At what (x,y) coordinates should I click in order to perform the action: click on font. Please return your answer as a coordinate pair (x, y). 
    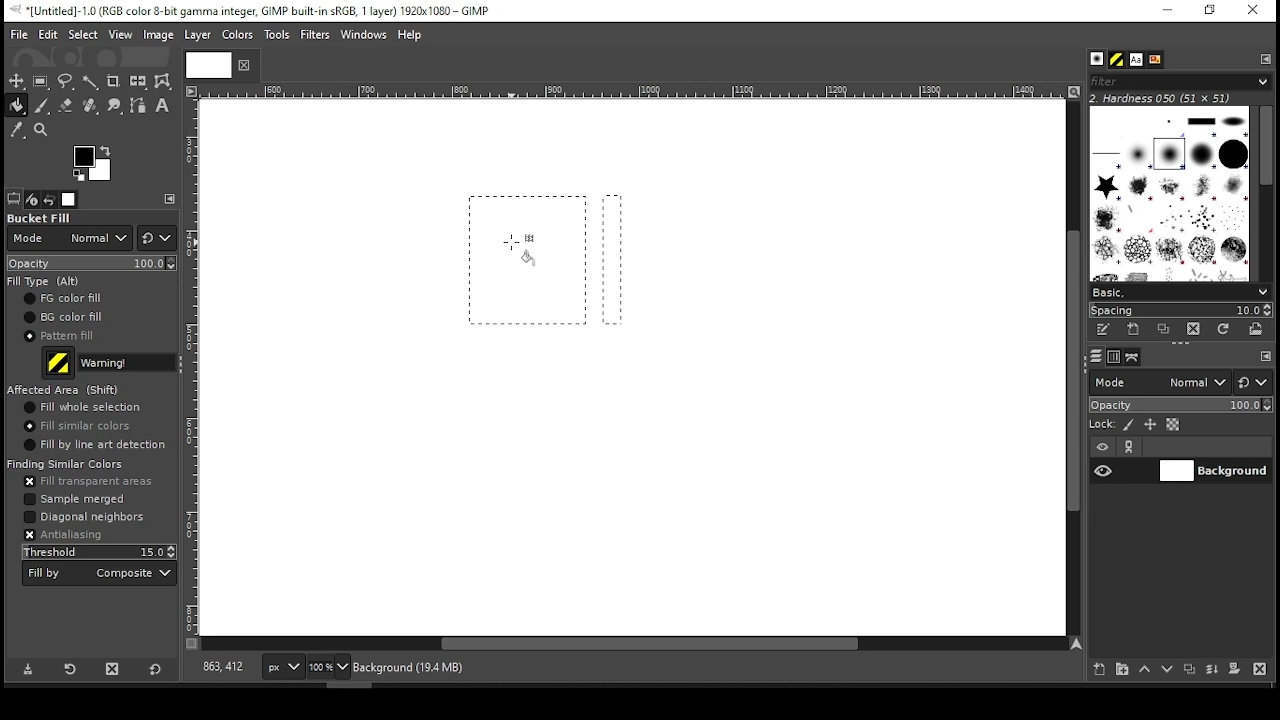
    Looking at the image, I should click on (1135, 60).